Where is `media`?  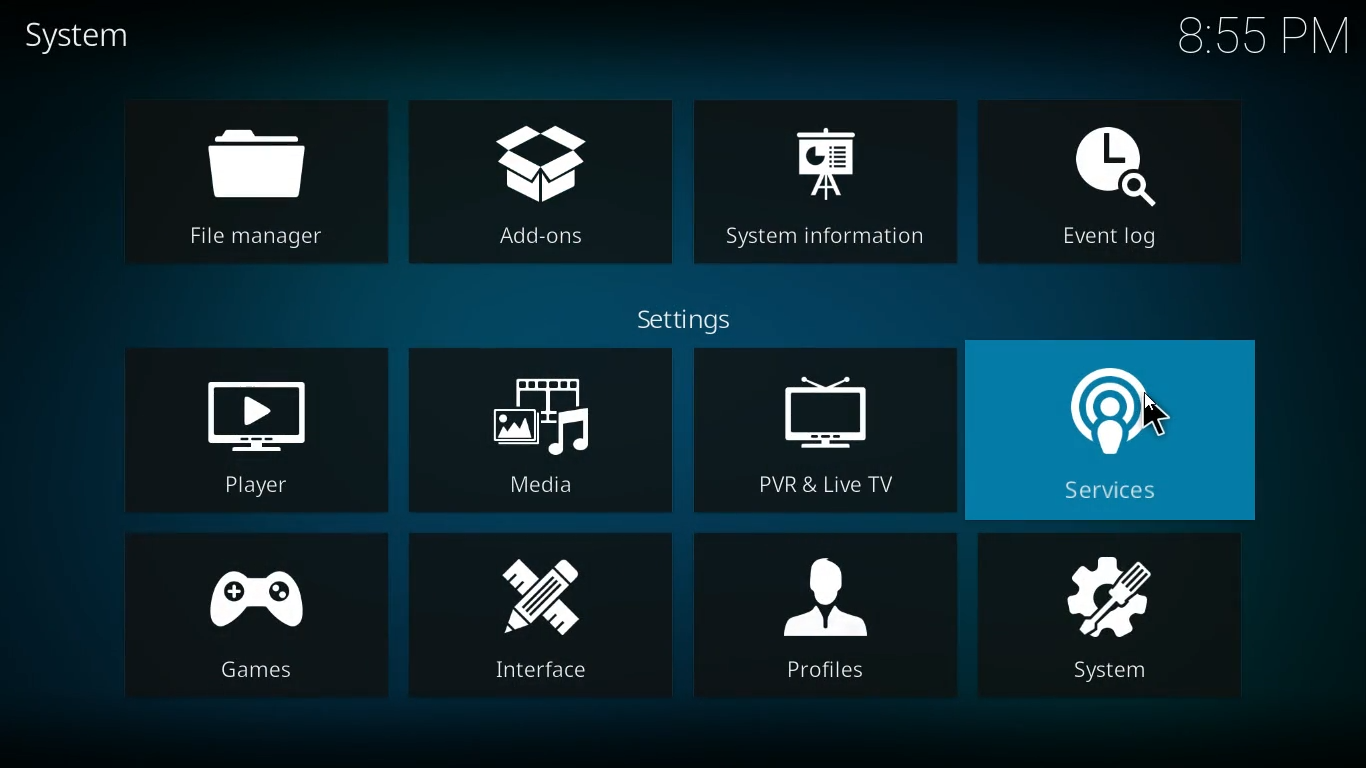
media is located at coordinates (543, 432).